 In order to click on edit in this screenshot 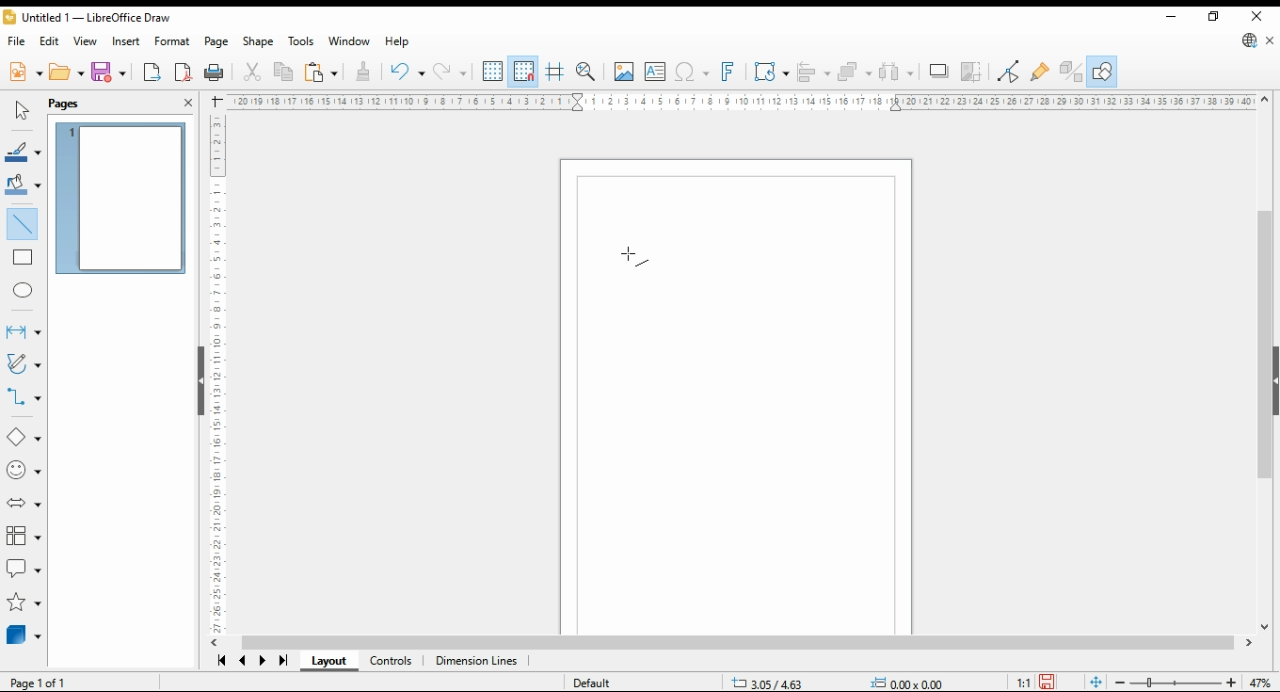, I will do `click(50, 40)`.